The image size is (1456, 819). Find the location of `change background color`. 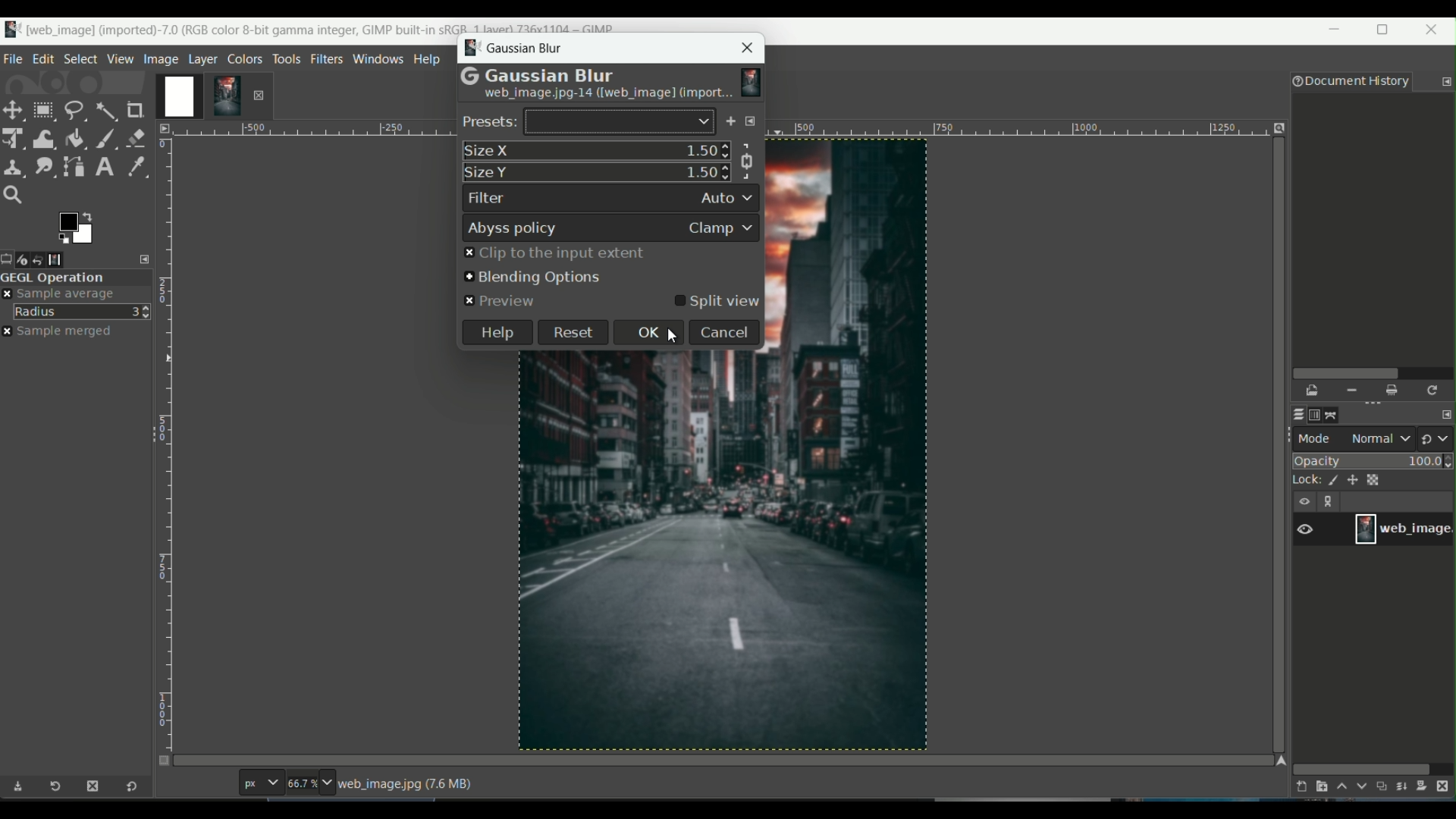

change background color is located at coordinates (75, 227).